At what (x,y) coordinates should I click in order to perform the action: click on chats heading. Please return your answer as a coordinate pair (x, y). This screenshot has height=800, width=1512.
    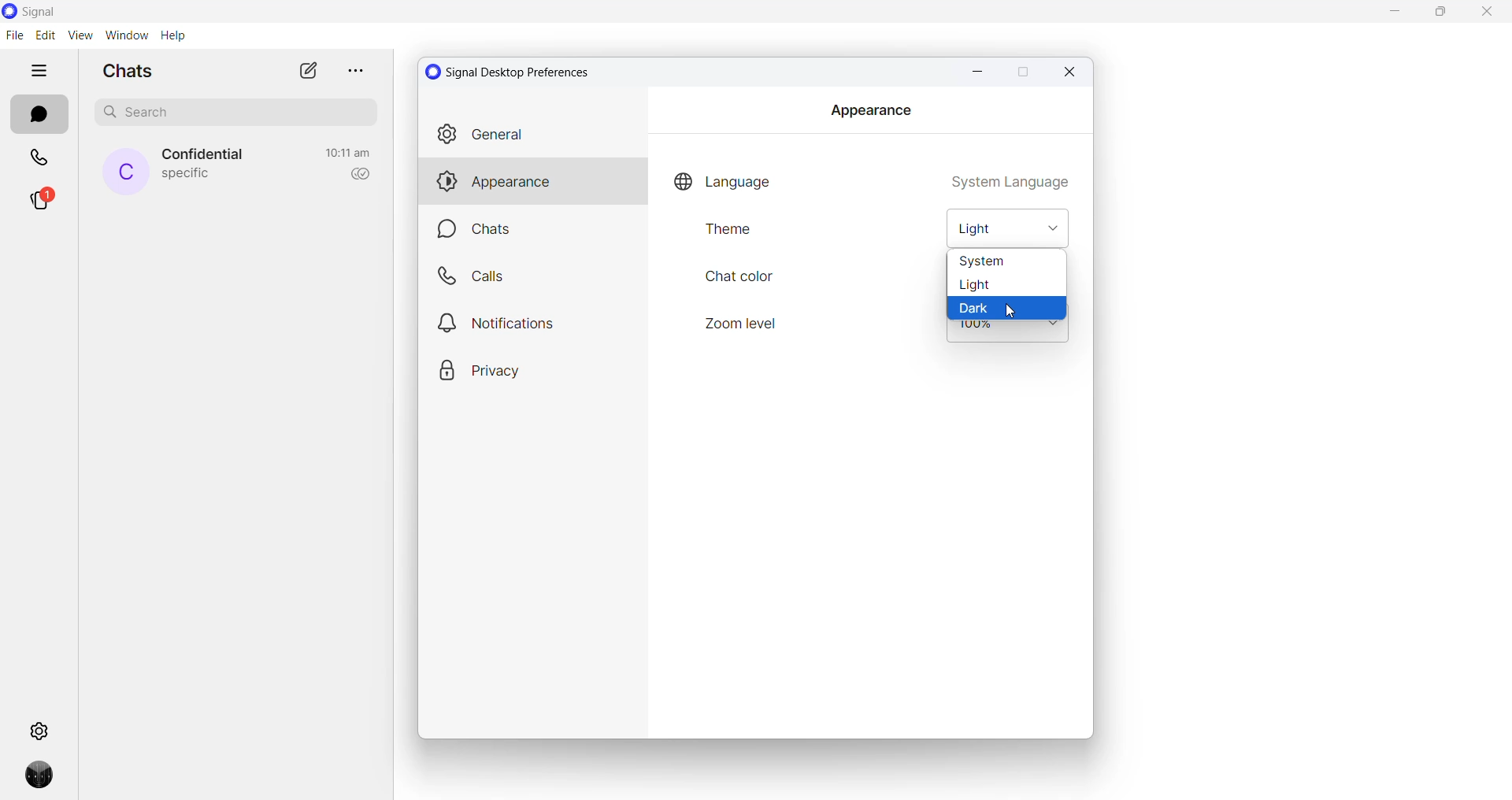
    Looking at the image, I should click on (133, 70).